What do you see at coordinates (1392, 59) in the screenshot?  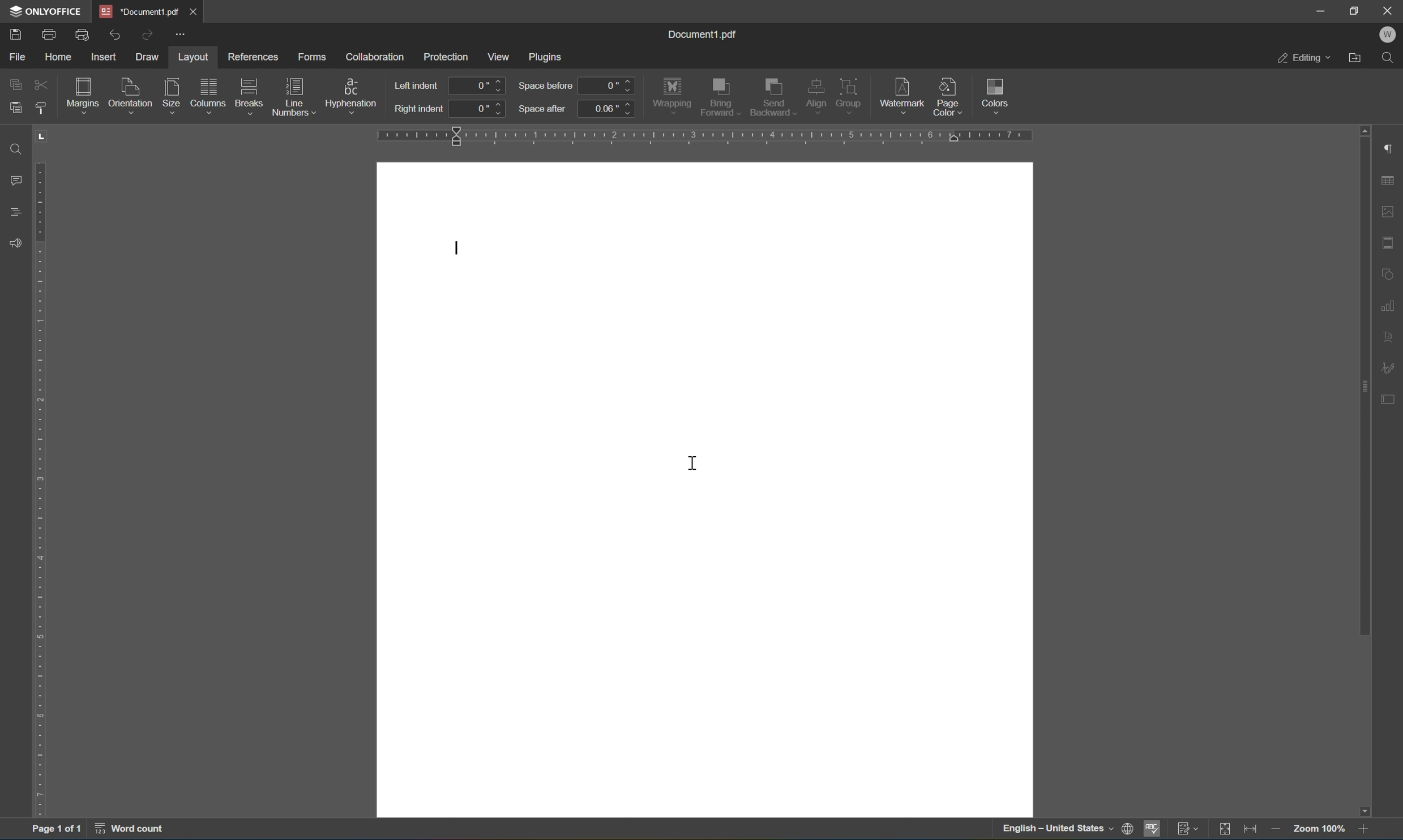 I see `Find` at bounding box center [1392, 59].